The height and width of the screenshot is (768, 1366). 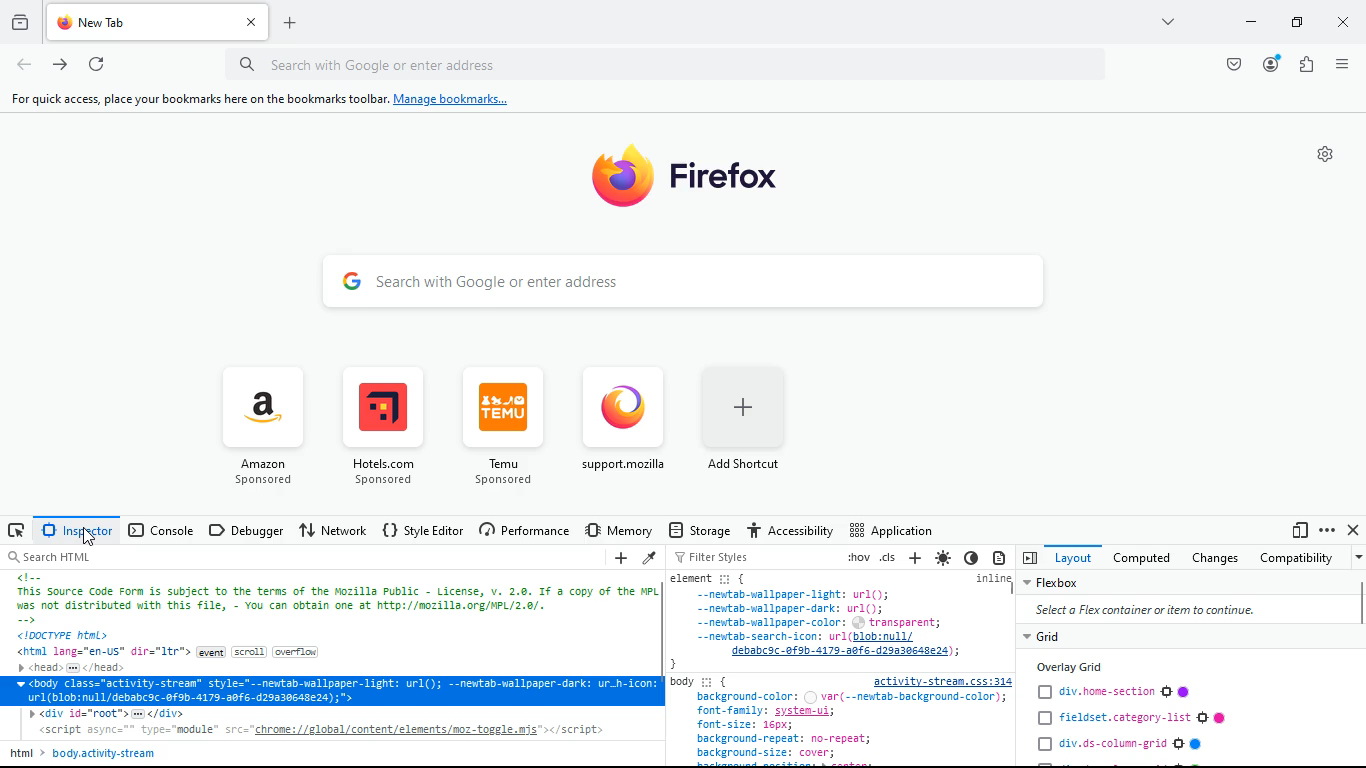 What do you see at coordinates (1326, 154) in the screenshot?
I see `settings` at bounding box center [1326, 154].